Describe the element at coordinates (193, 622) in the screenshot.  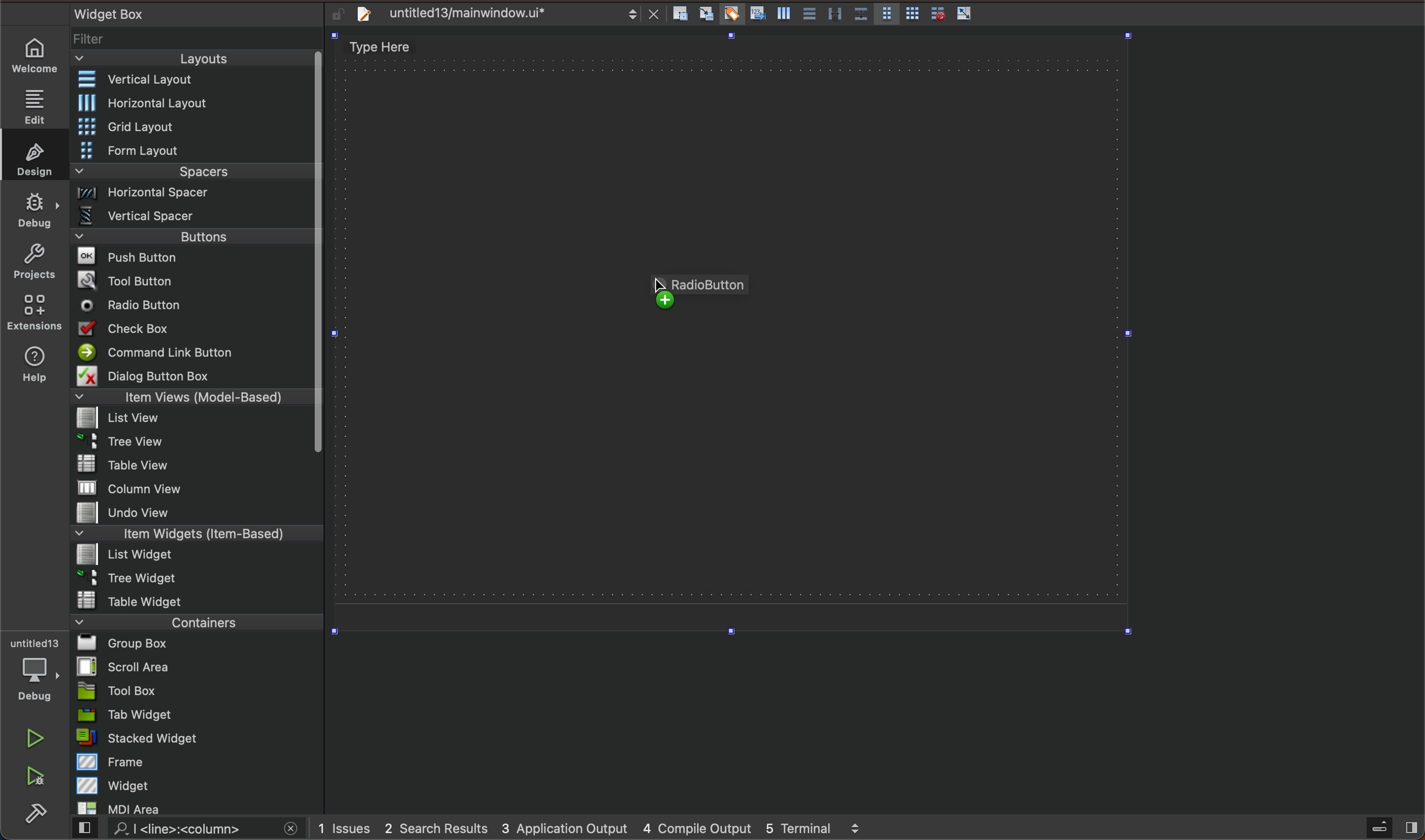
I see `containers` at that location.